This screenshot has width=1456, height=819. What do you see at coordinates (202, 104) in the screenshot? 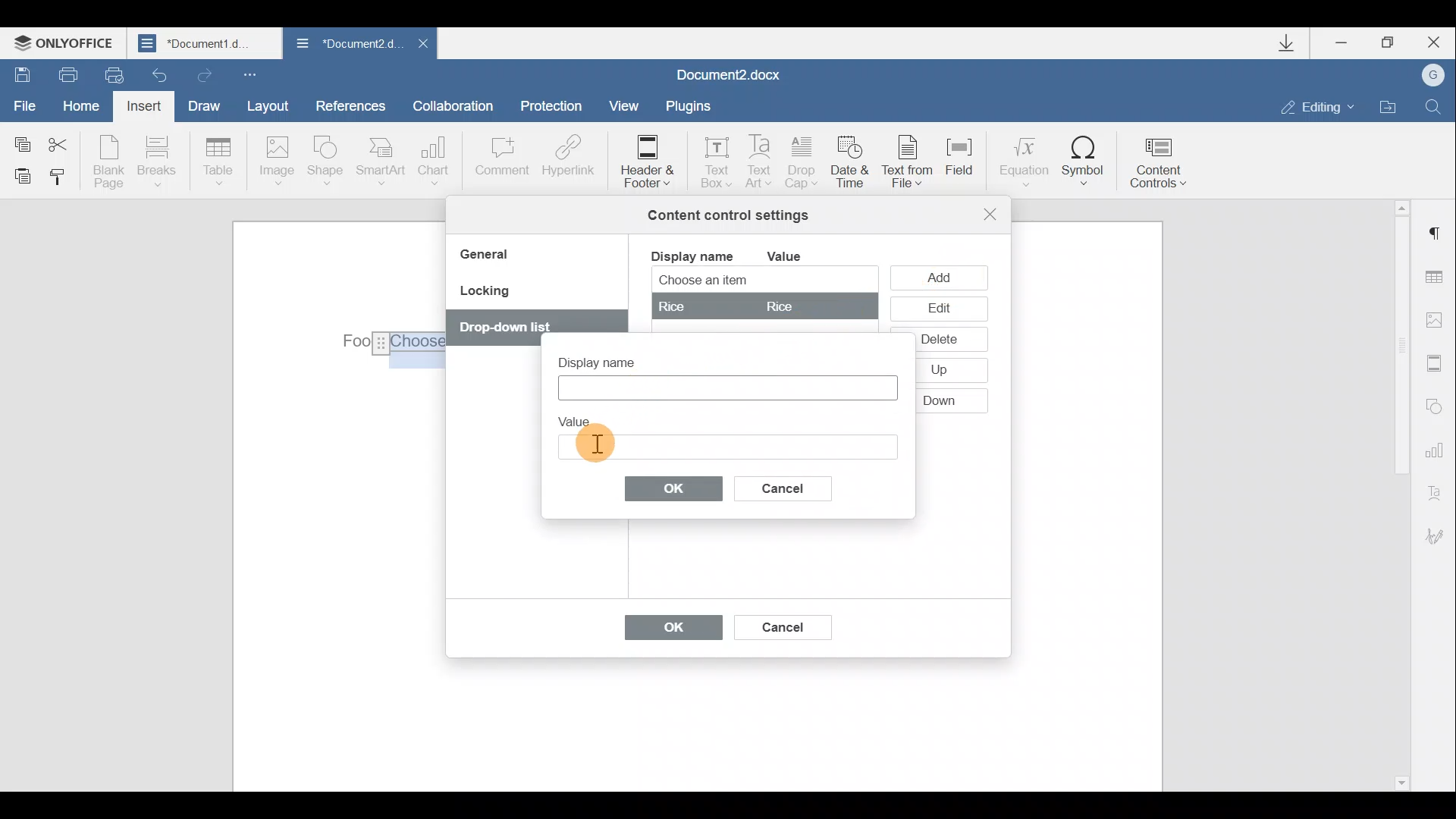
I see `Draw` at bounding box center [202, 104].